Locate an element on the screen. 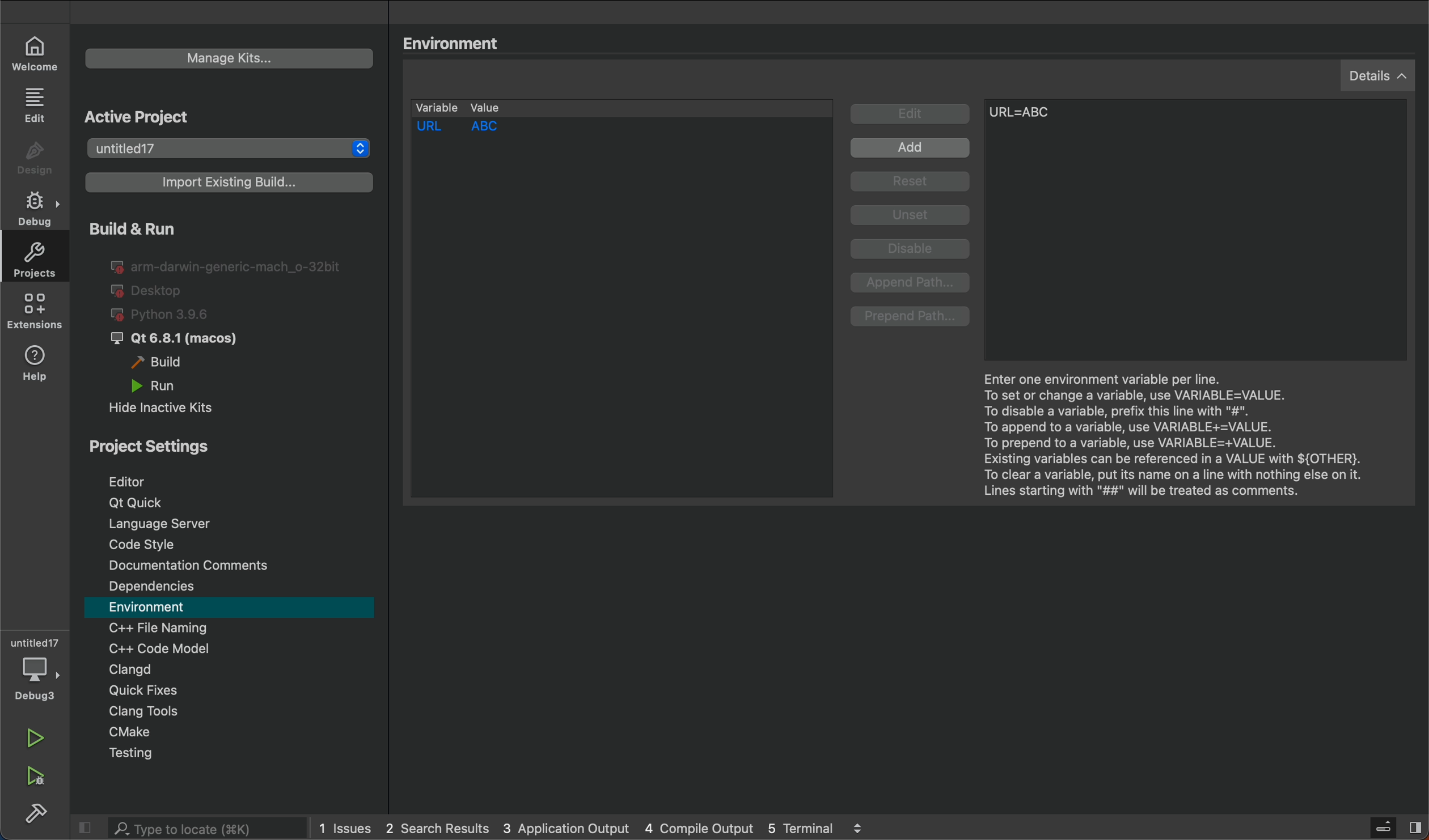 This screenshot has width=1429, height=840. run and debug is located at coordinates (40, 778).